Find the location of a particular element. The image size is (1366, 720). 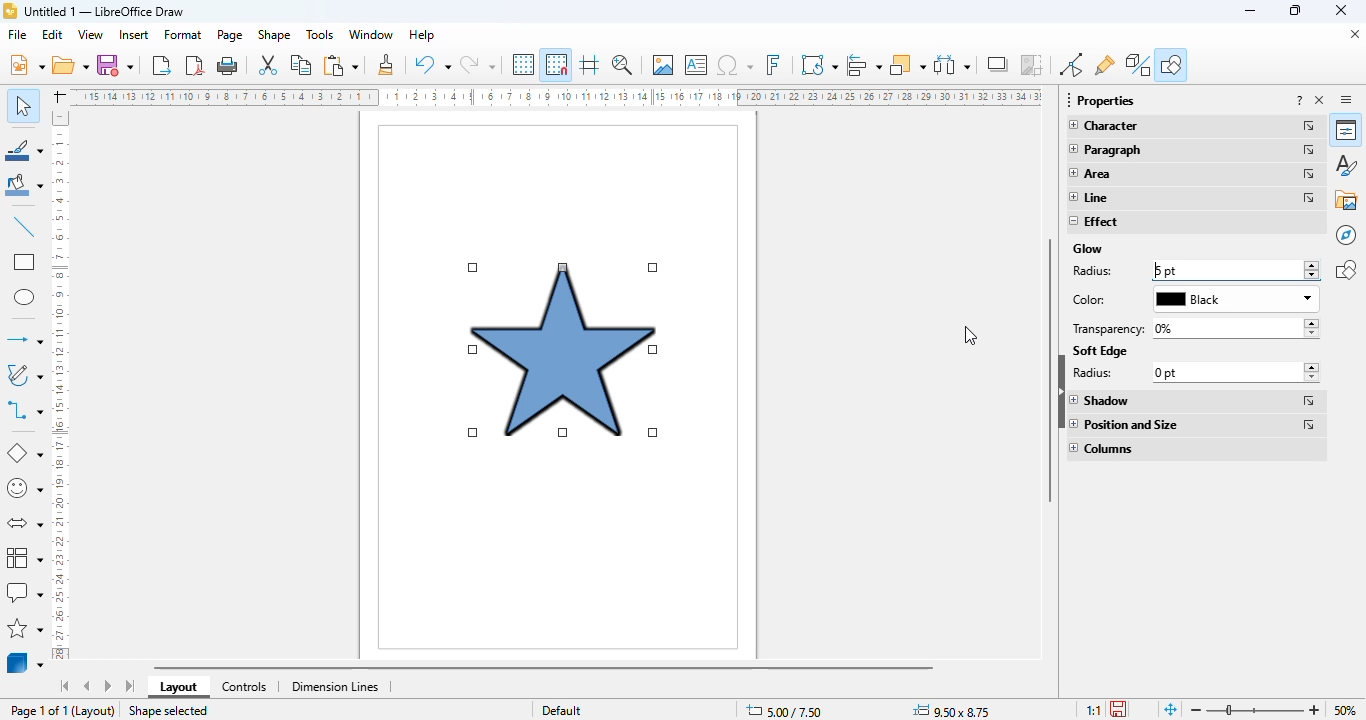

ruler is located at coordinates (553, 96).